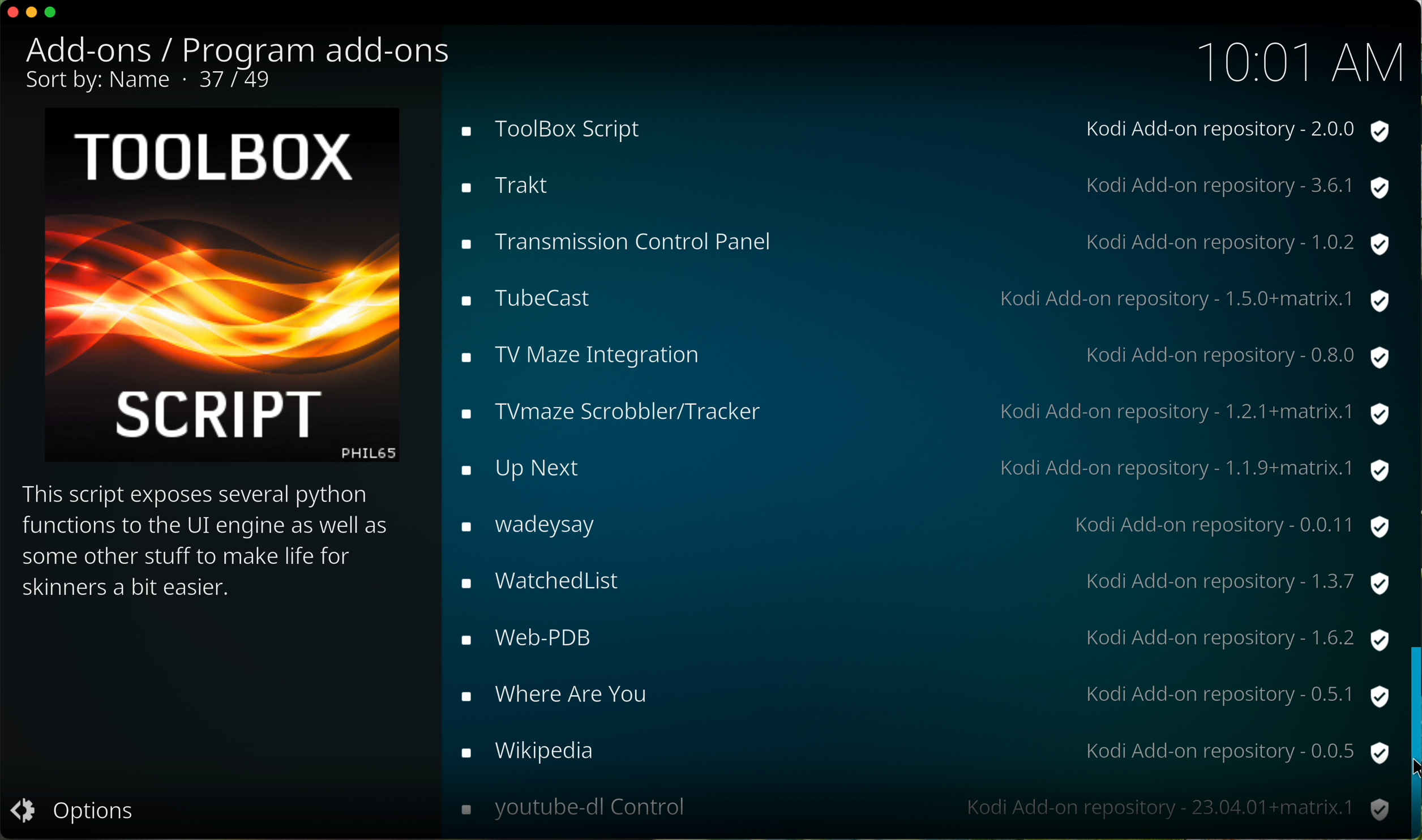  I want to click on maximize, so click(52, 14).